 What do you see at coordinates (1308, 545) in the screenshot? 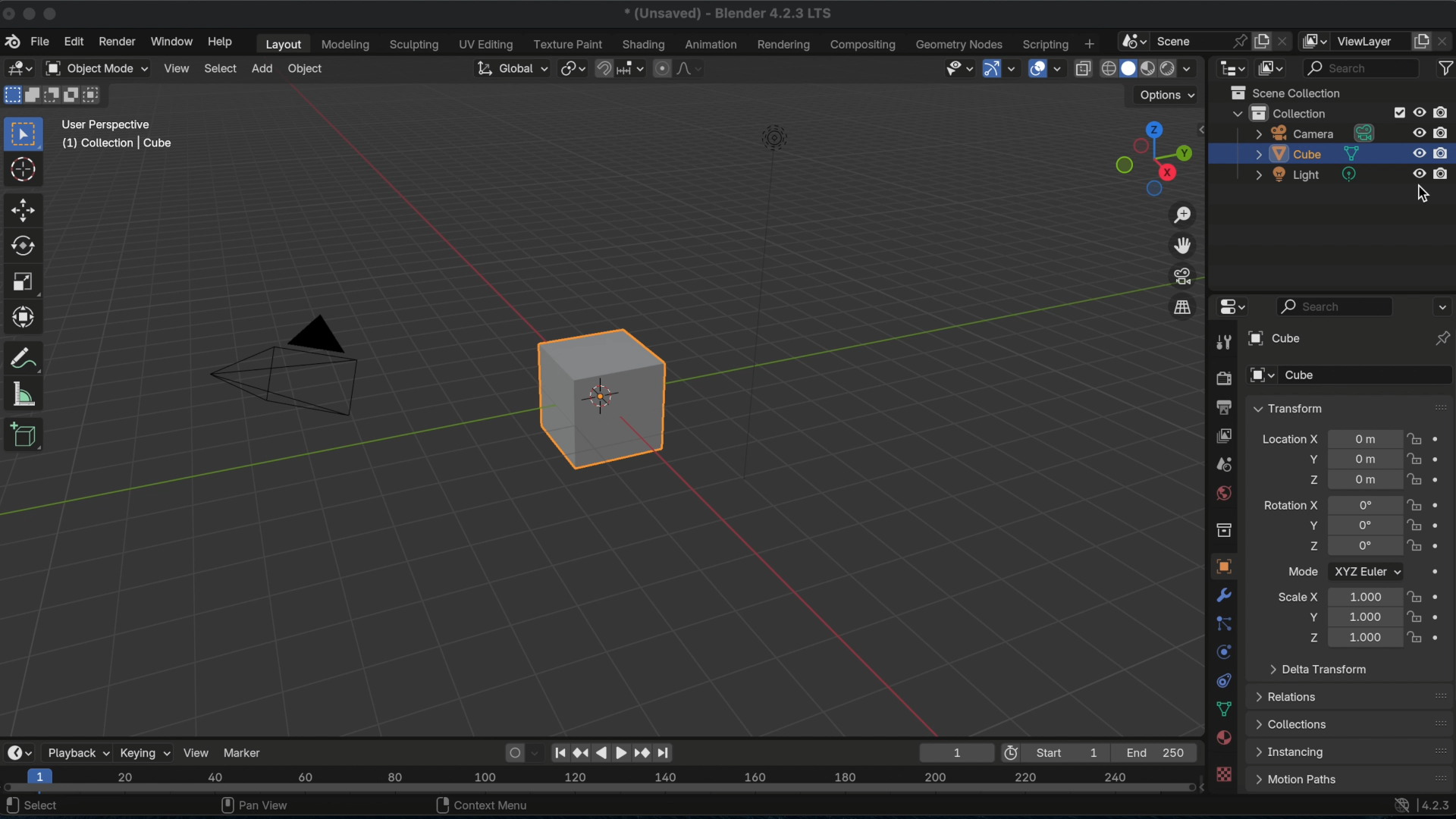
I see `rotation Z` at bounding box center [1308, 545].